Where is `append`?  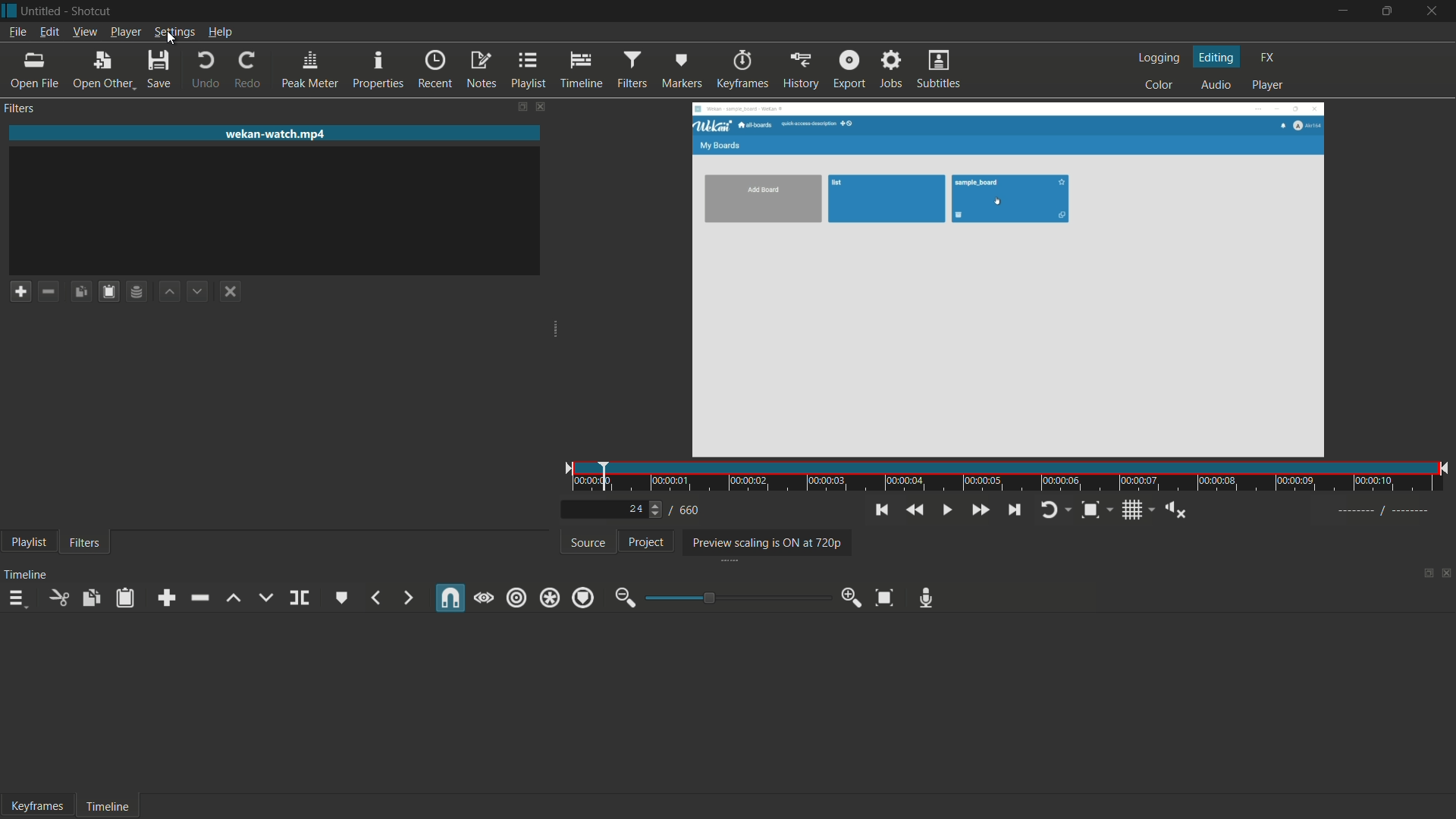 append is located at coordinates (166, 598).